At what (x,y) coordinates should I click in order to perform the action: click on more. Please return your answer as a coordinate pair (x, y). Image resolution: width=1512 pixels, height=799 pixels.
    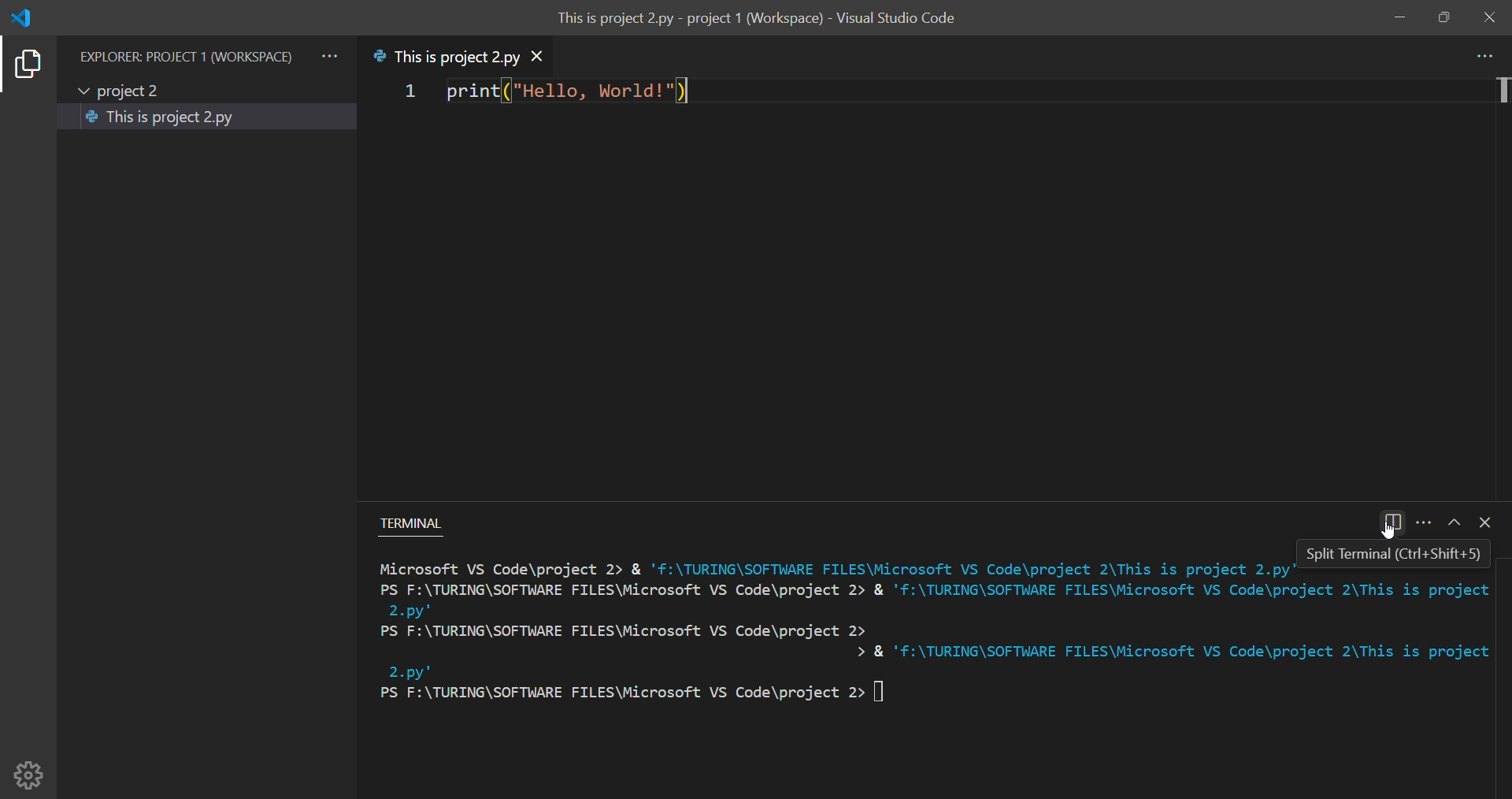
    Looking at the image, I should click on (332, 50).